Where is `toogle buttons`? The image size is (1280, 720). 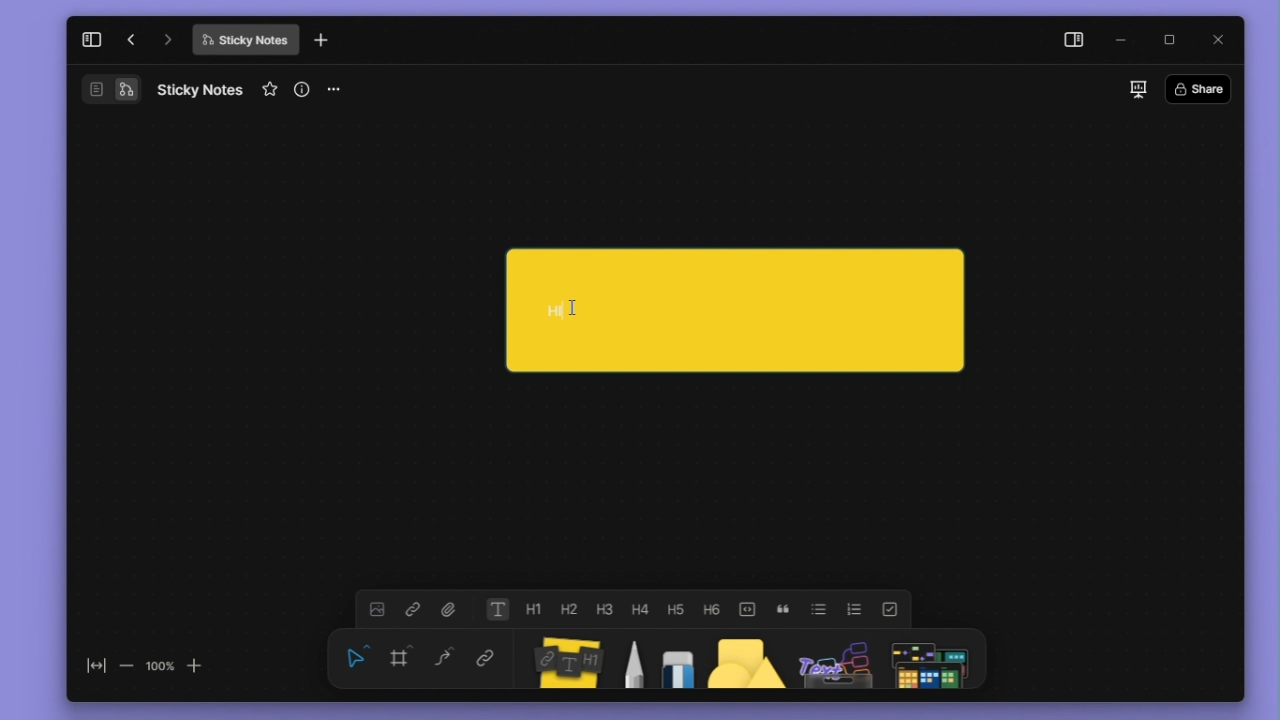 toogle buttons is located at coordinates (753, 609).